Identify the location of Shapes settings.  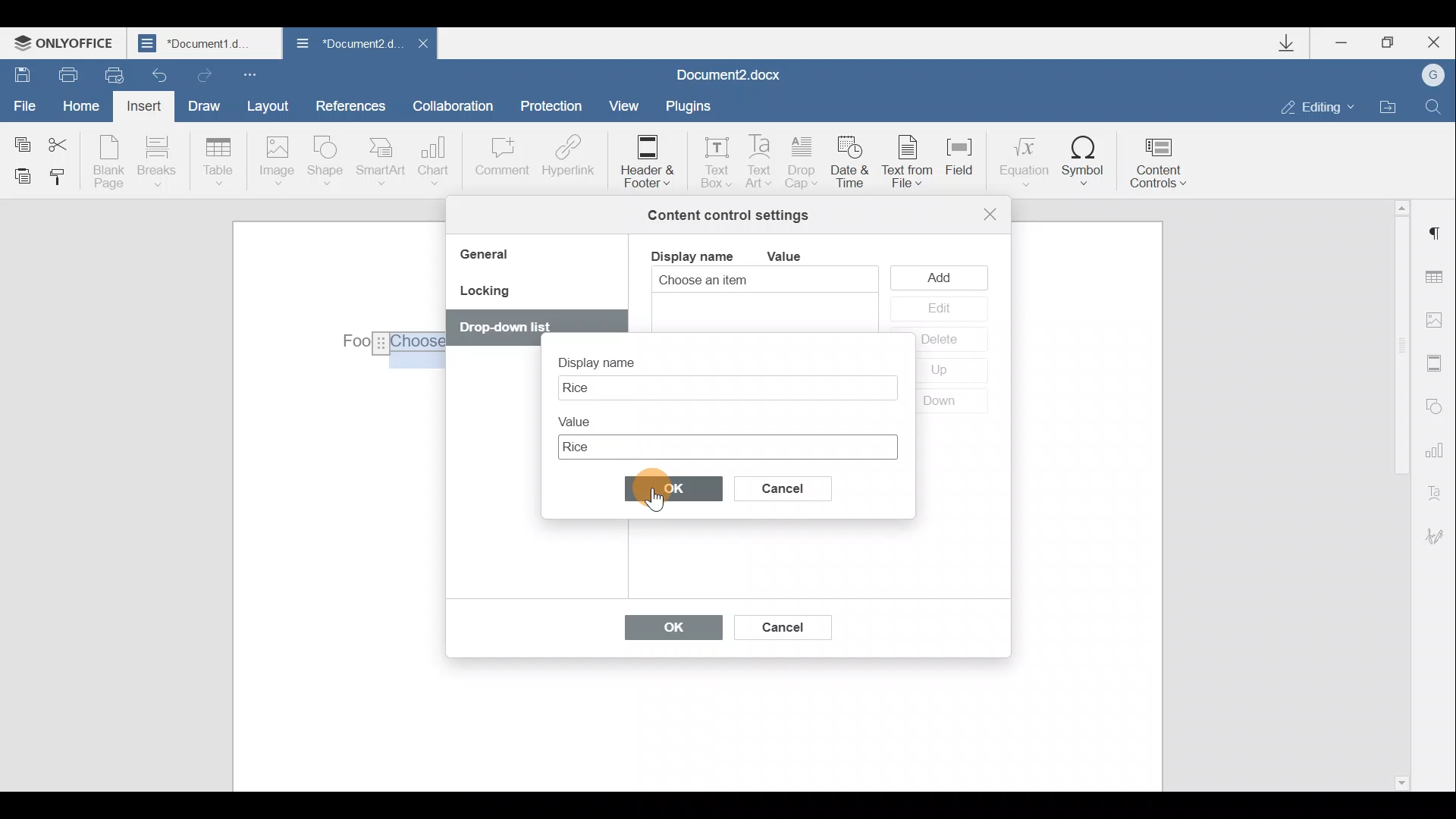
(1435, 404).